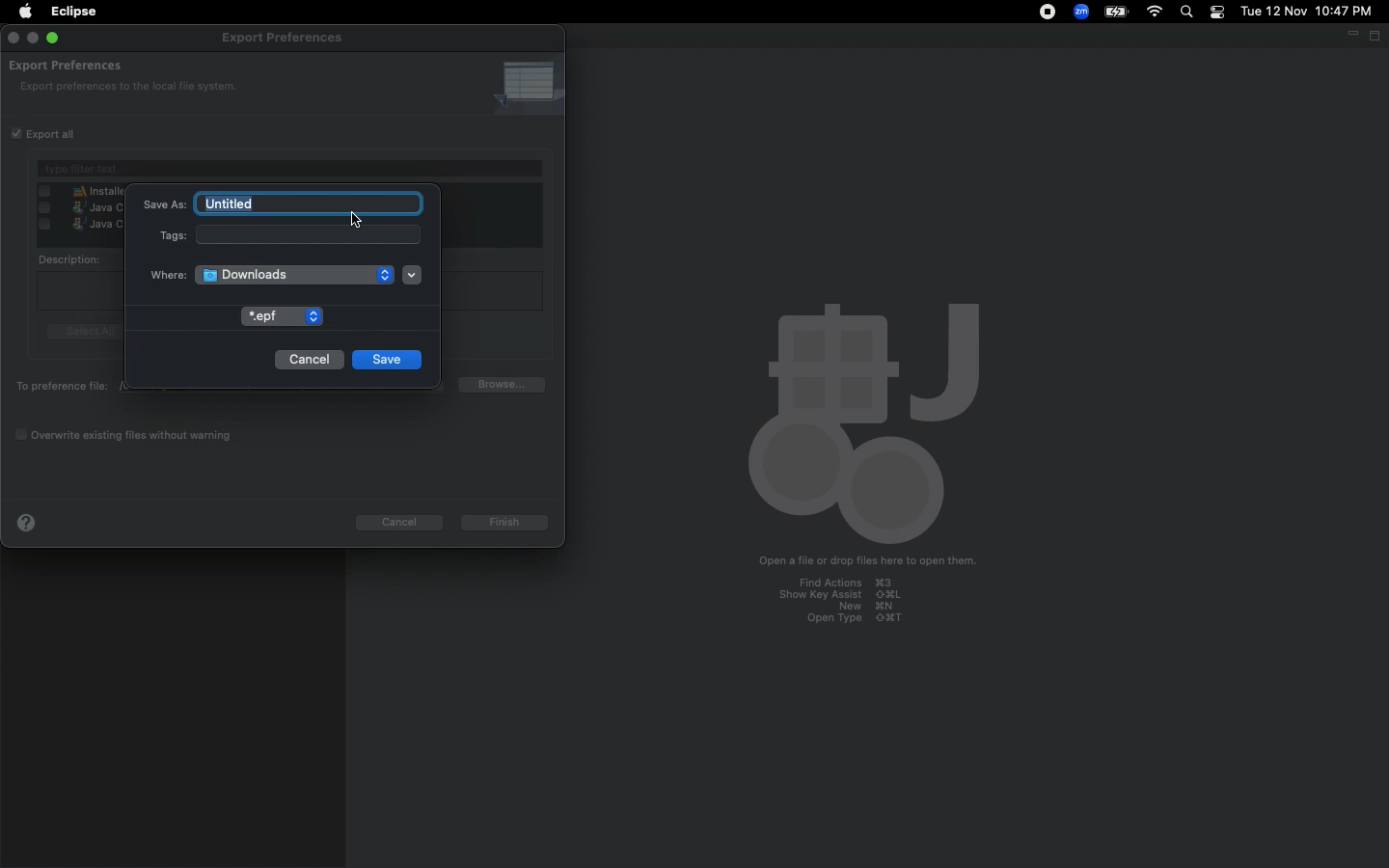 This screenshot has height=868, width=1389. What do you see at coordinates (32, 40) in the screenshot?
I see `minimize` at bounding box center [32, 40].